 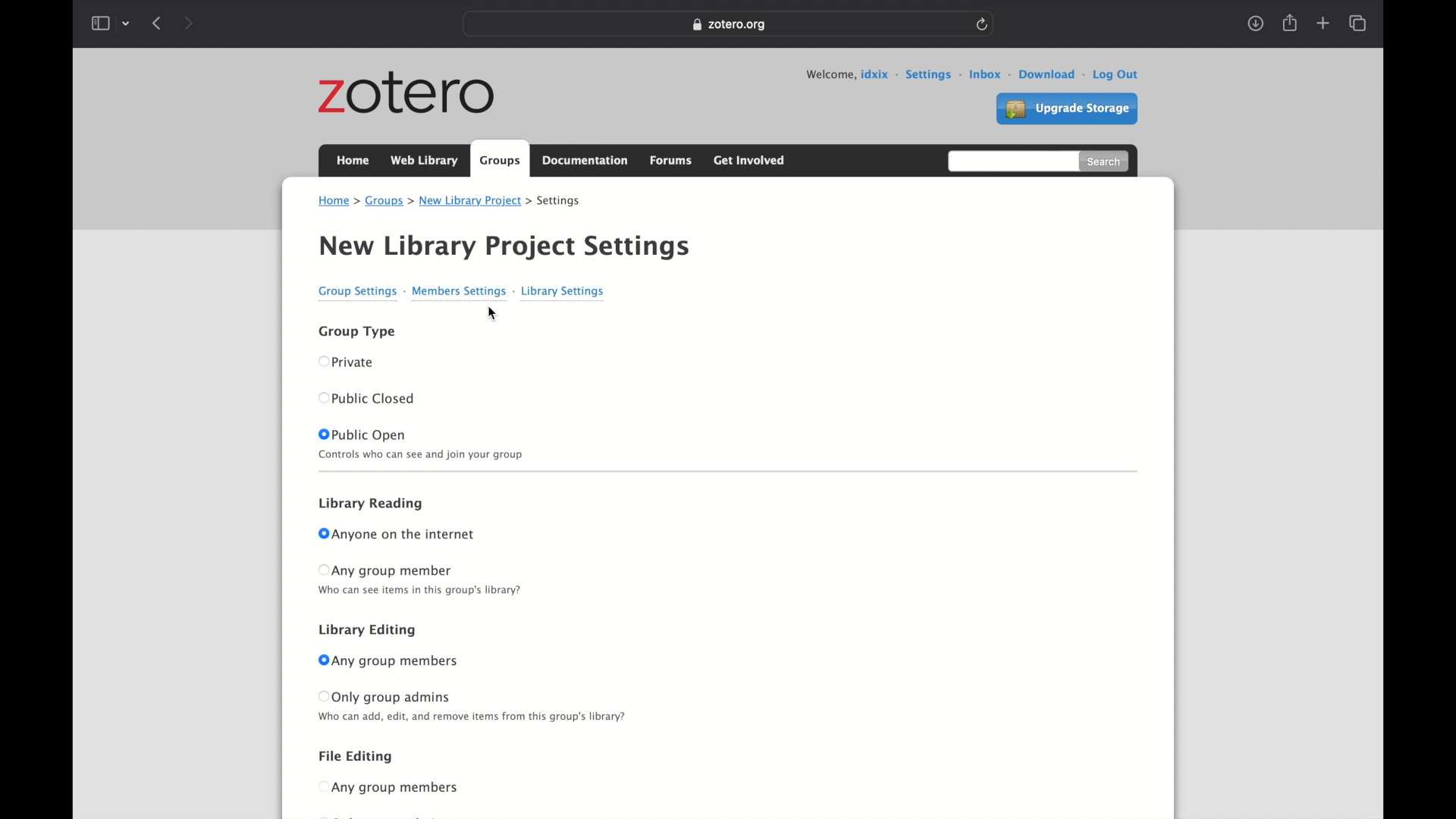 I want to click on radio buttons description, so click(x=422, y=454).